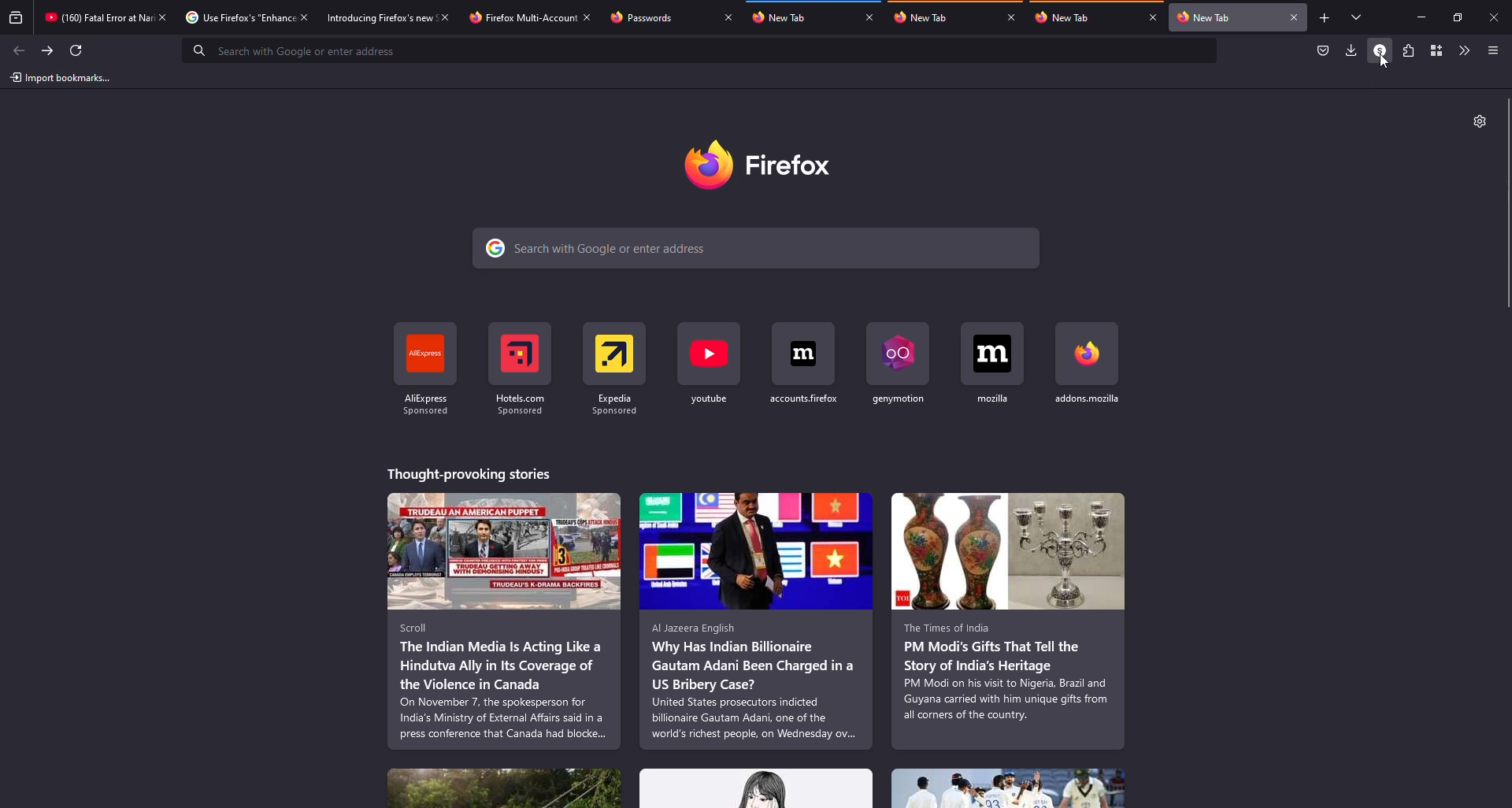 This screenshot has height=808, width=1512. What do you see at coordinates (506, 785) in the screenshot?
I see `stories` at bounding box center [506, 785].